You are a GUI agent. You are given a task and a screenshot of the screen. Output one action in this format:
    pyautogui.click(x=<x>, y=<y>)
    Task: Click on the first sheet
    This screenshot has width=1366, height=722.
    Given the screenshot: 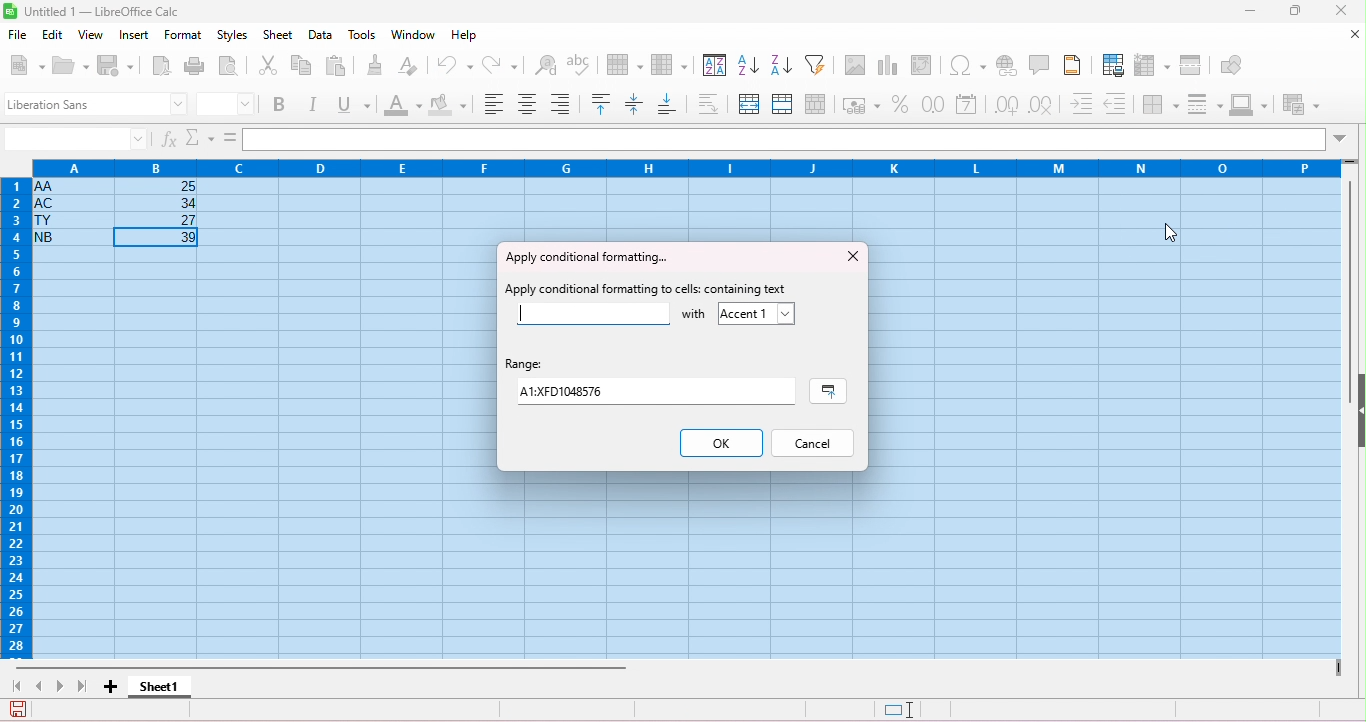 What is the action you would take?
    pyautogui.click(x=22, y=686)
    